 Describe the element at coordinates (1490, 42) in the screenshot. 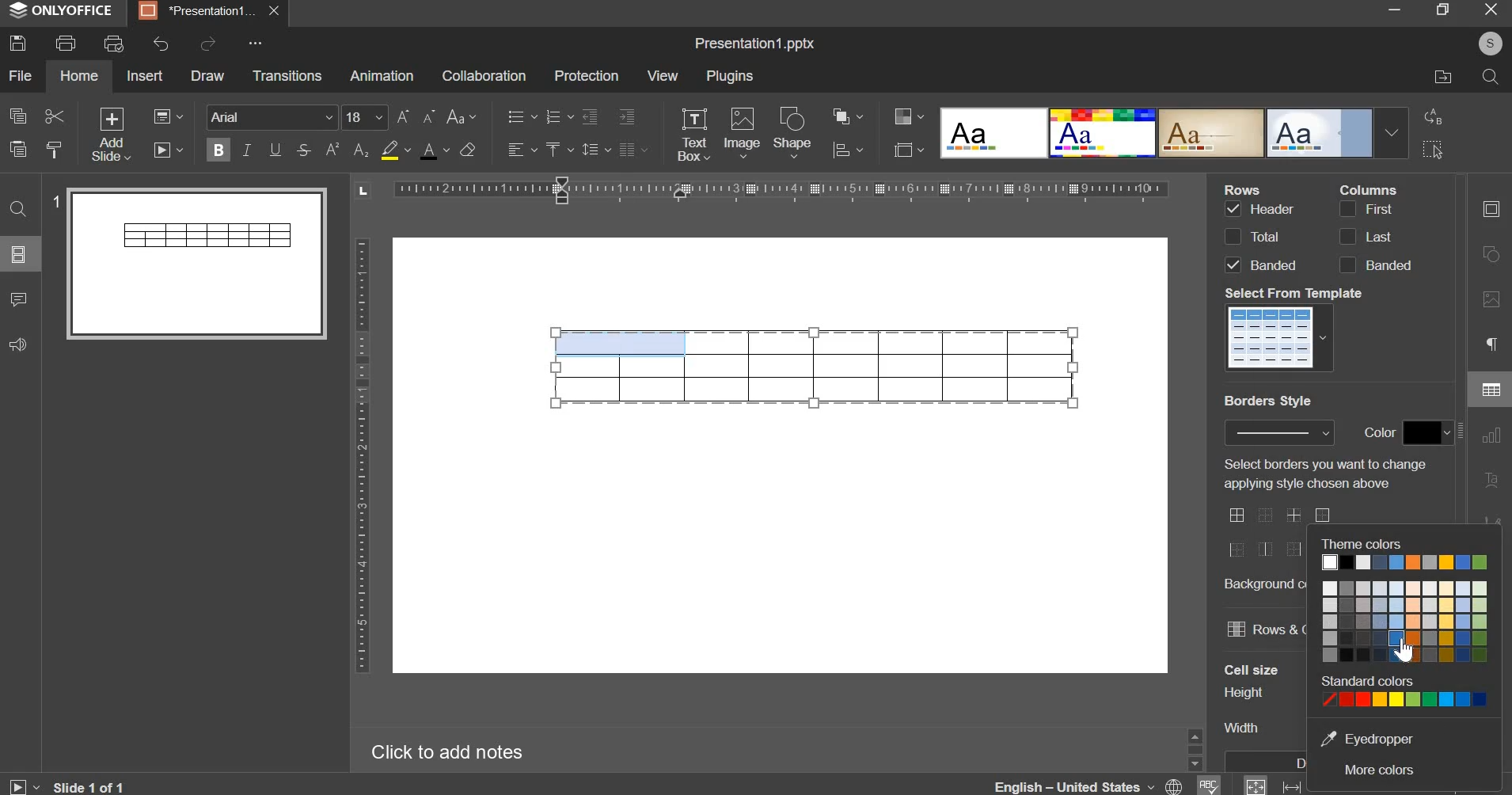

I see `User's account` at that location.